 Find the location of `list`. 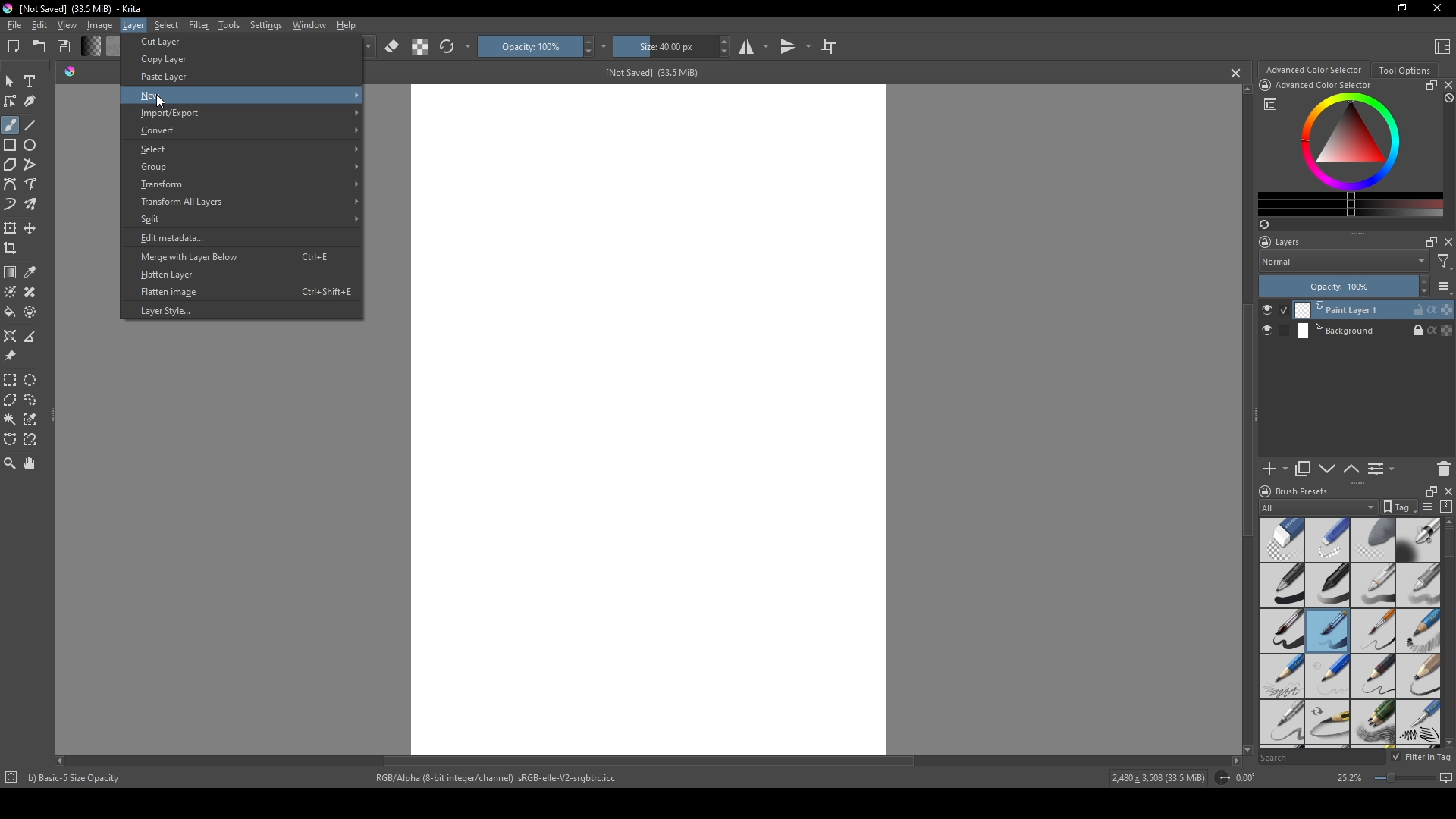

list is located at coordinates (1444, 286).